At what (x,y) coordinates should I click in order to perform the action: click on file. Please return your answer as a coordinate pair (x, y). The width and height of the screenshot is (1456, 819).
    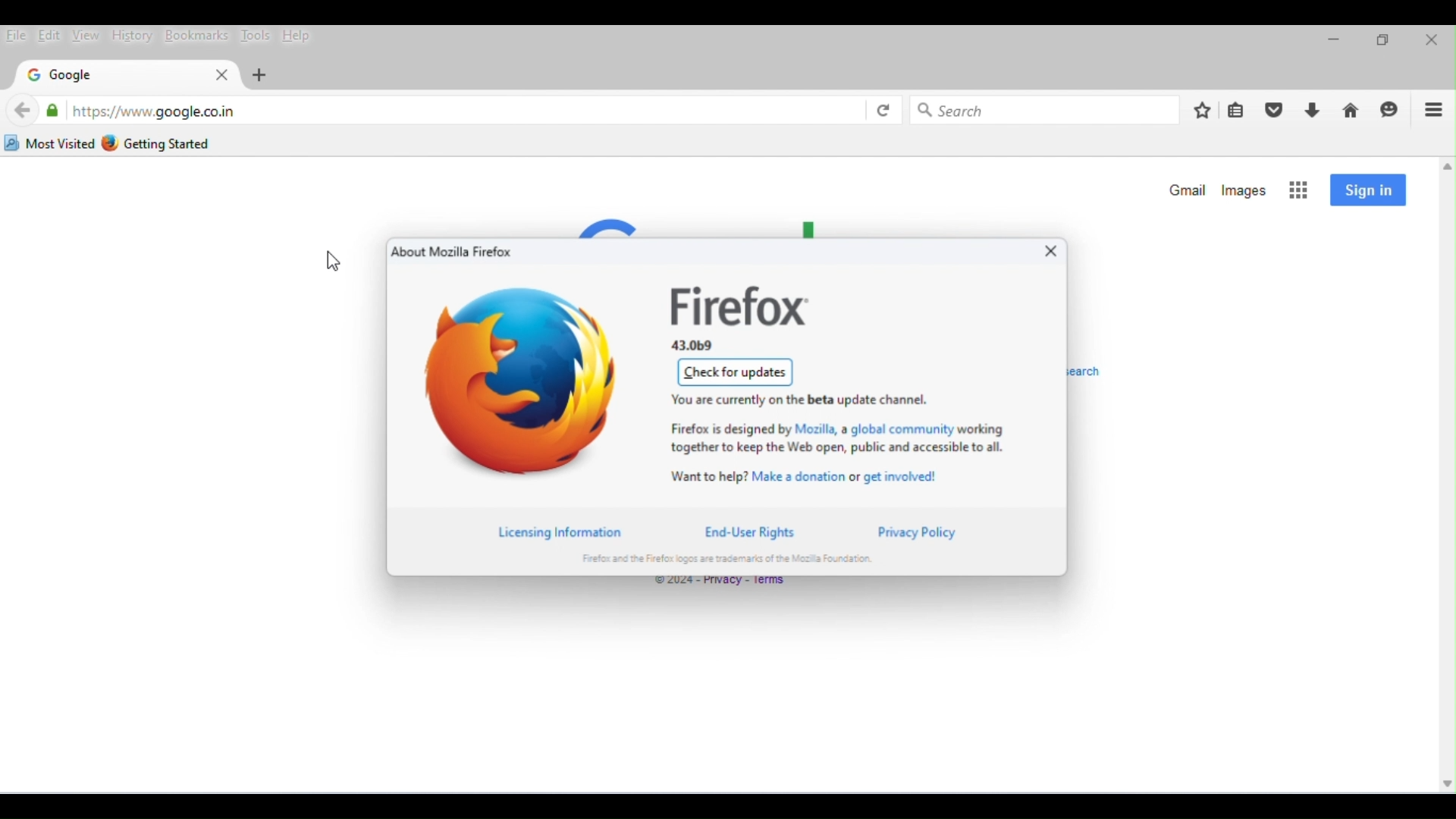
    Looking at the image, I should click on (17, 37).